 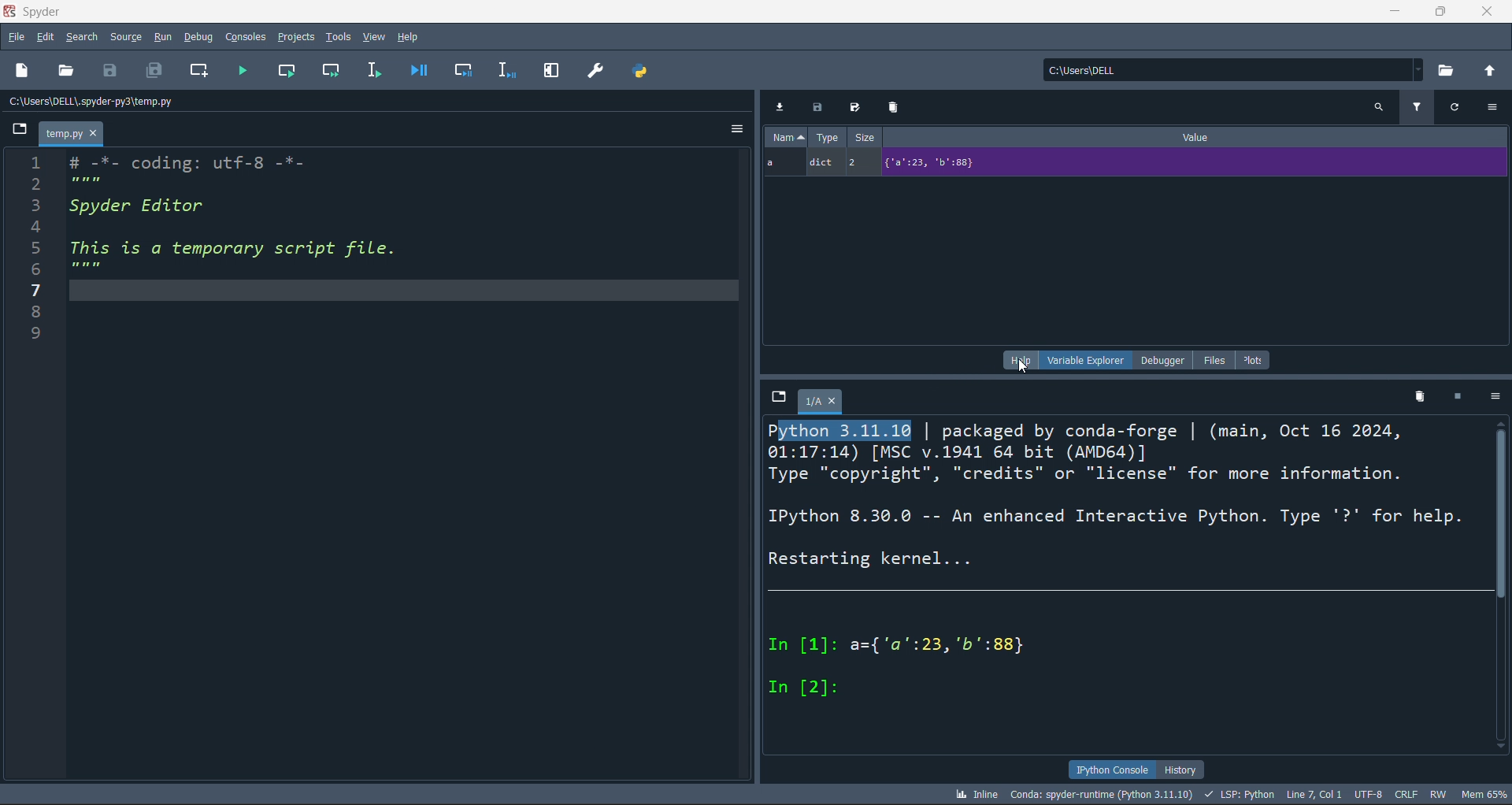 What do you see at coordinates (779, 106) in the screenshot?
I see `import` at bounding box center [779, 106].